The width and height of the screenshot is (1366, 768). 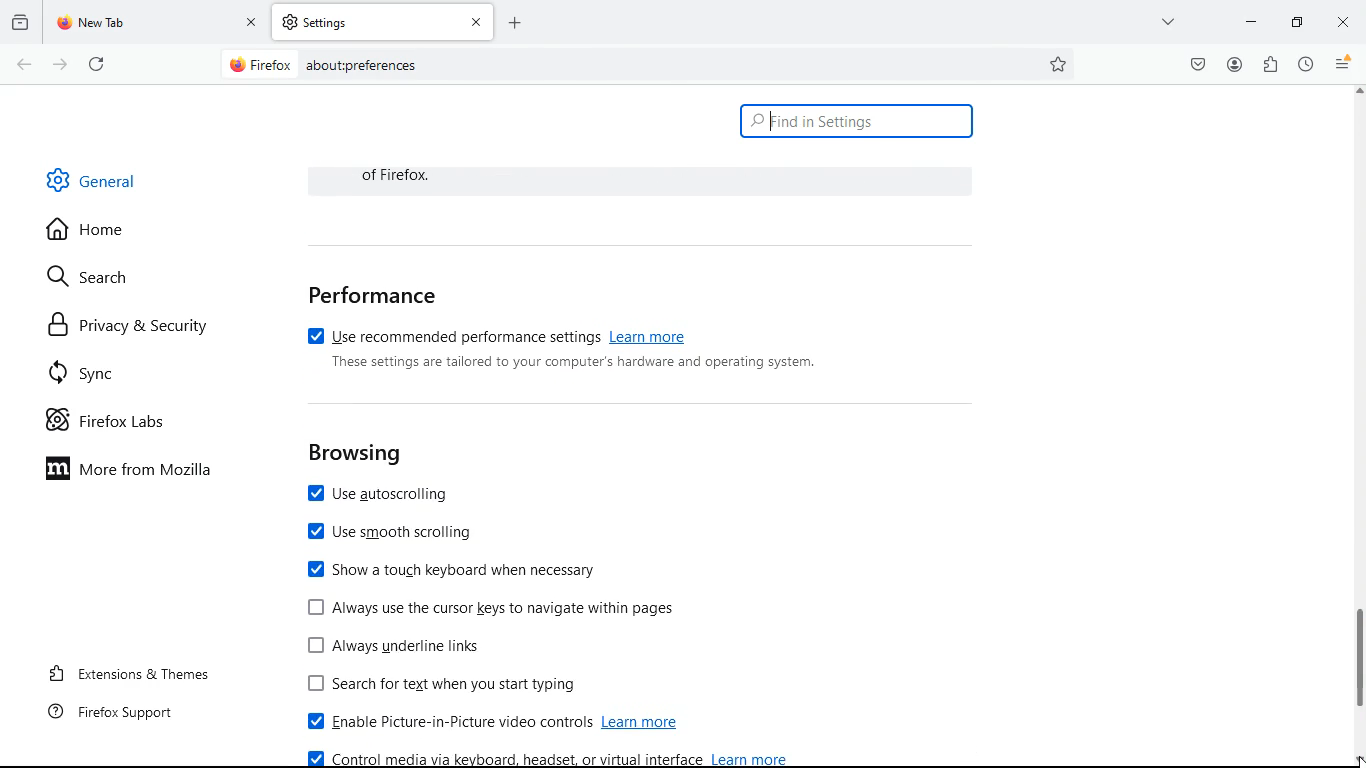 I want to click on Search Bar, so click(x=646, y=63).